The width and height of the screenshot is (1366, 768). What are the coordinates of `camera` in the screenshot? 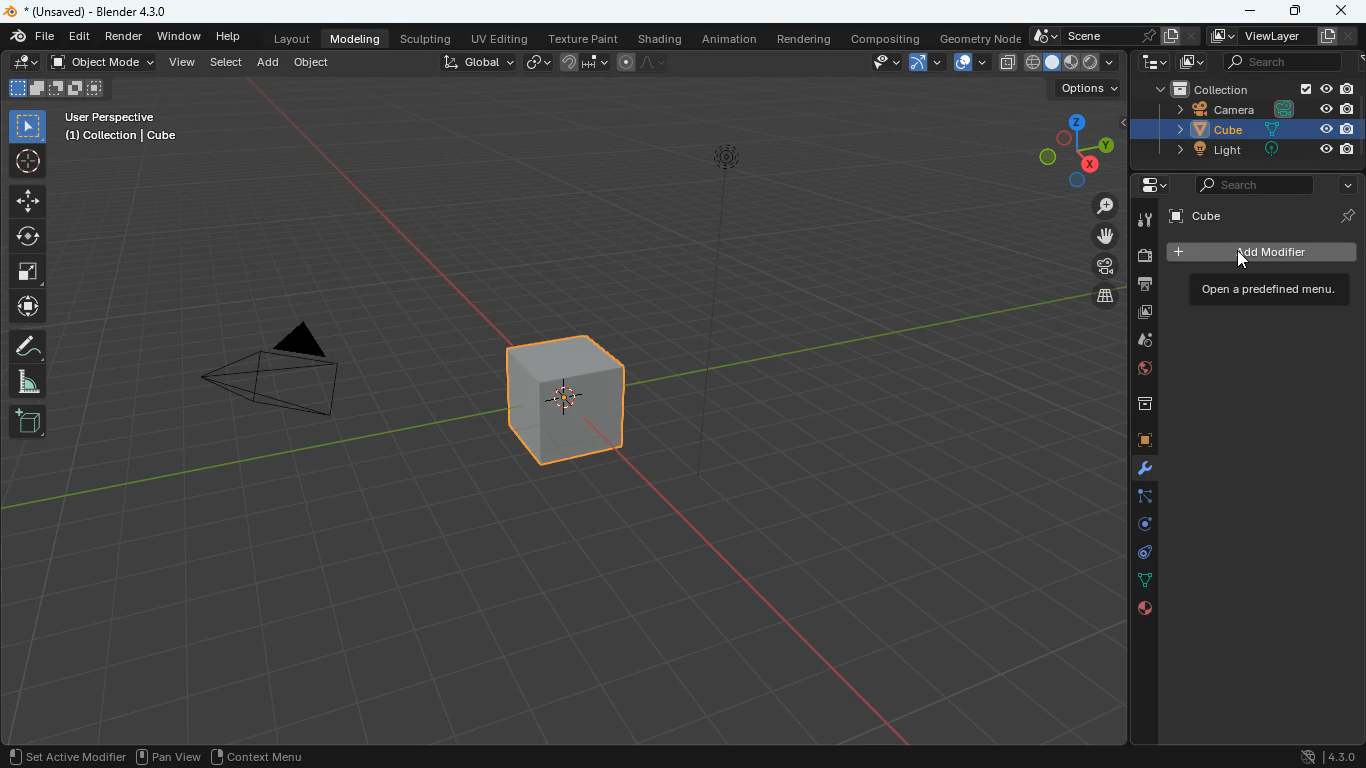 It's located at (1251, 109).